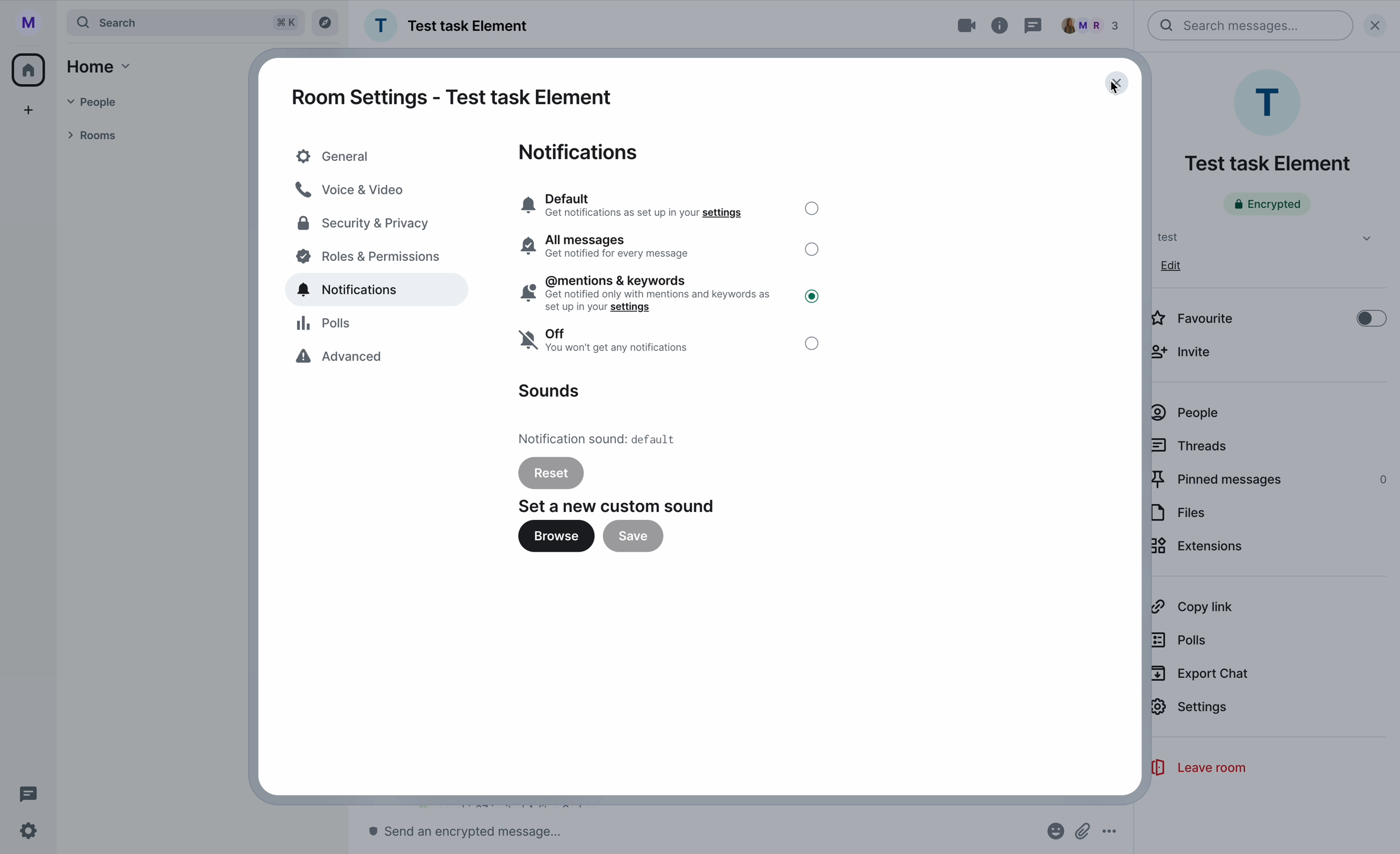 The image size is (1400, 854). I want to click on send message, so click(472, 832).